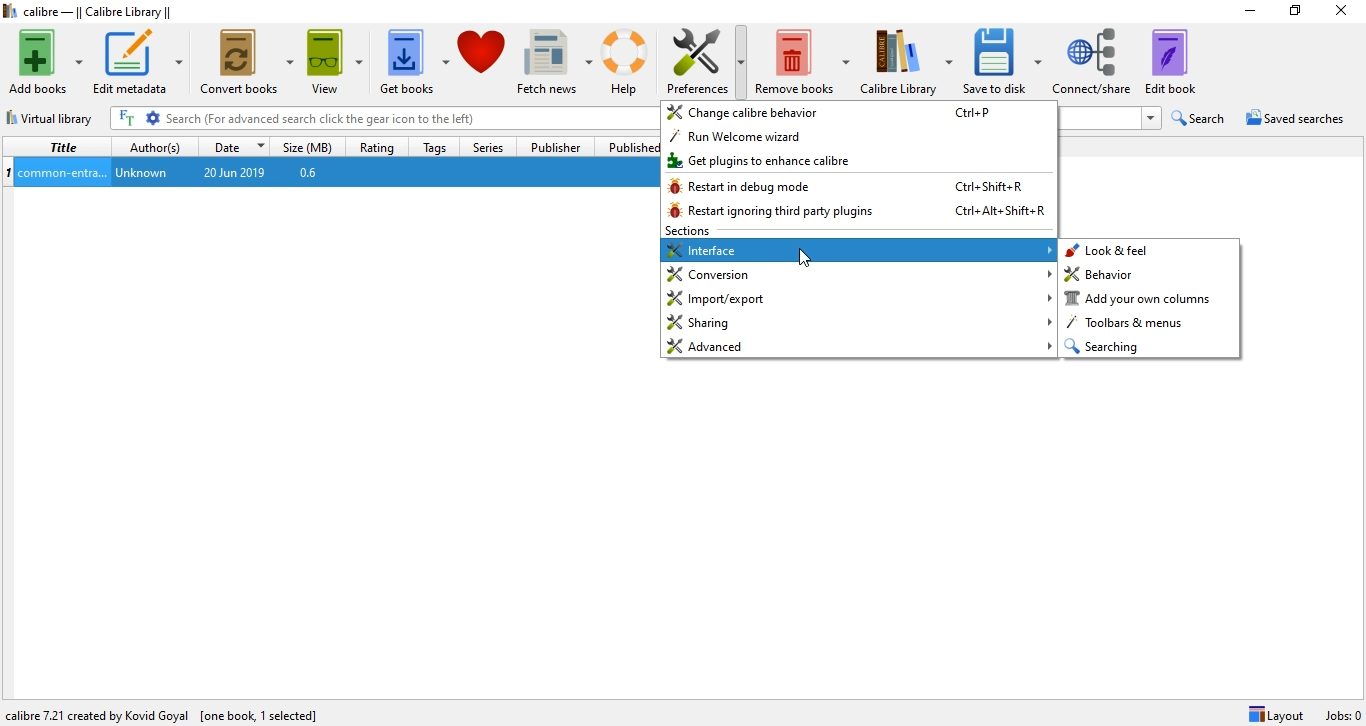 This screenshot has height=726, width=1366. Describe the element at coordinates (627, 147) in the screenshot. I see `Published` at that location.